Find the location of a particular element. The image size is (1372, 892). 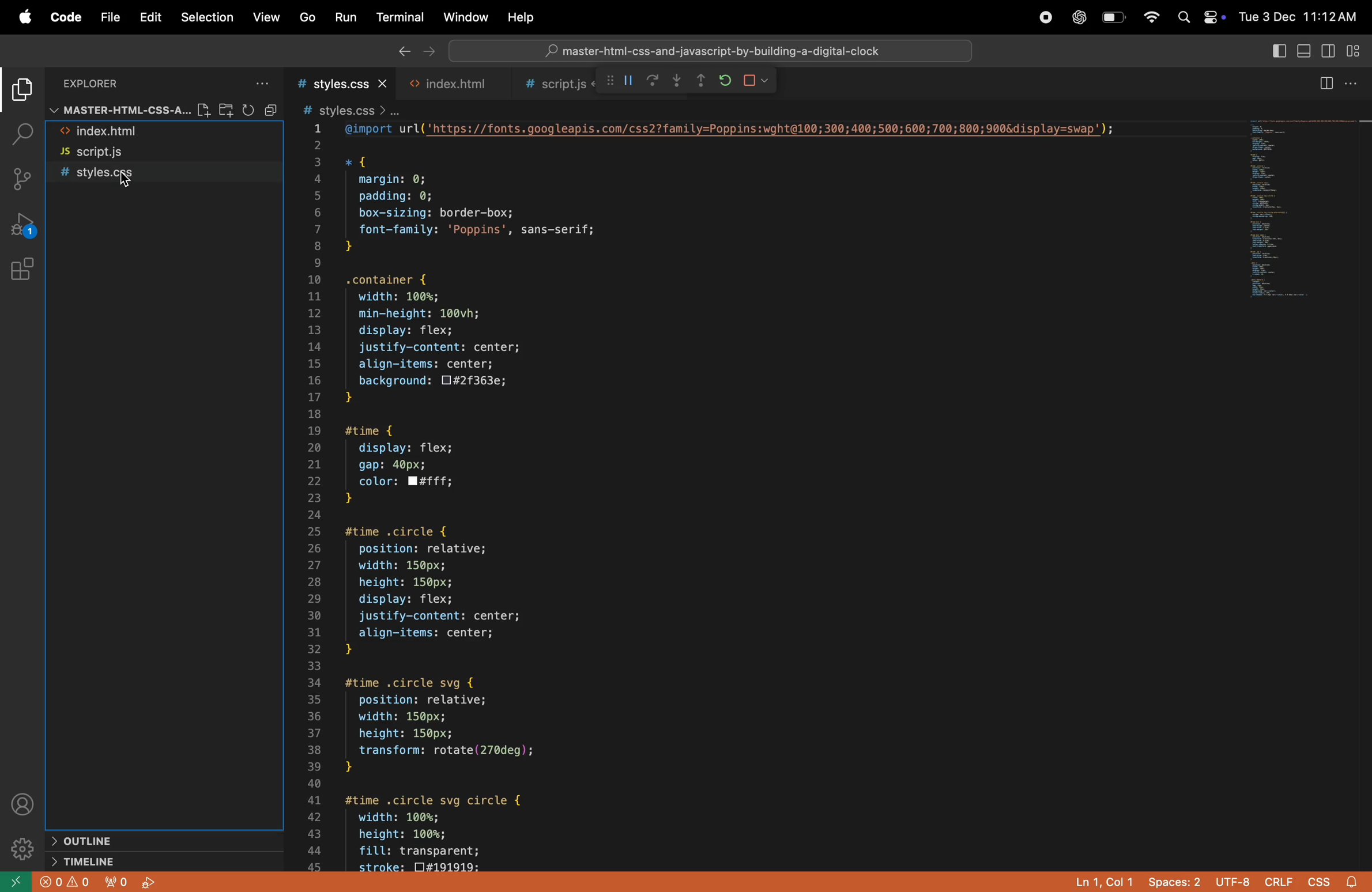

new file is located at coordinates (198, 108).